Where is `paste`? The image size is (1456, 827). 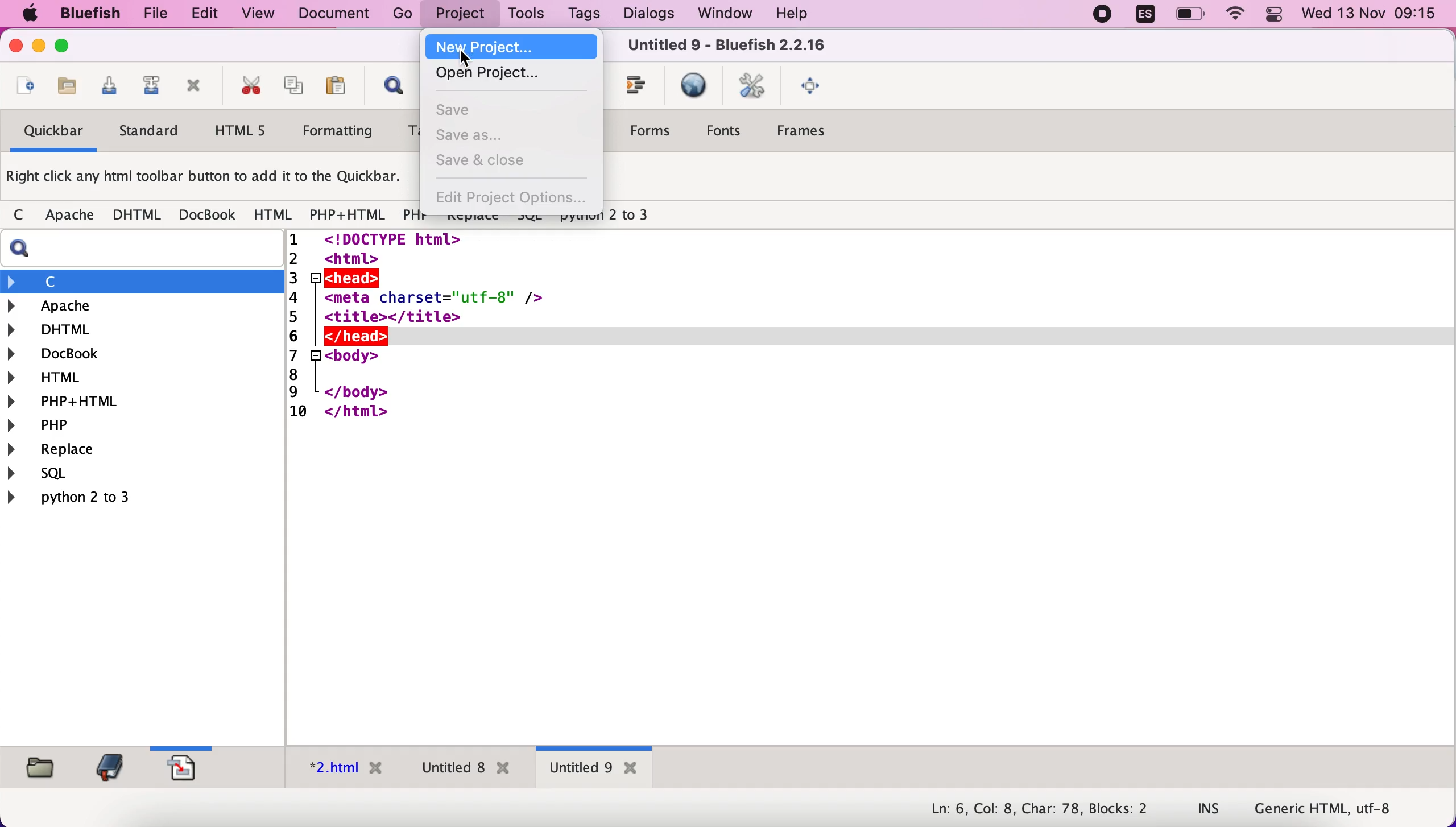 paste is located at coordinates (334, 88).